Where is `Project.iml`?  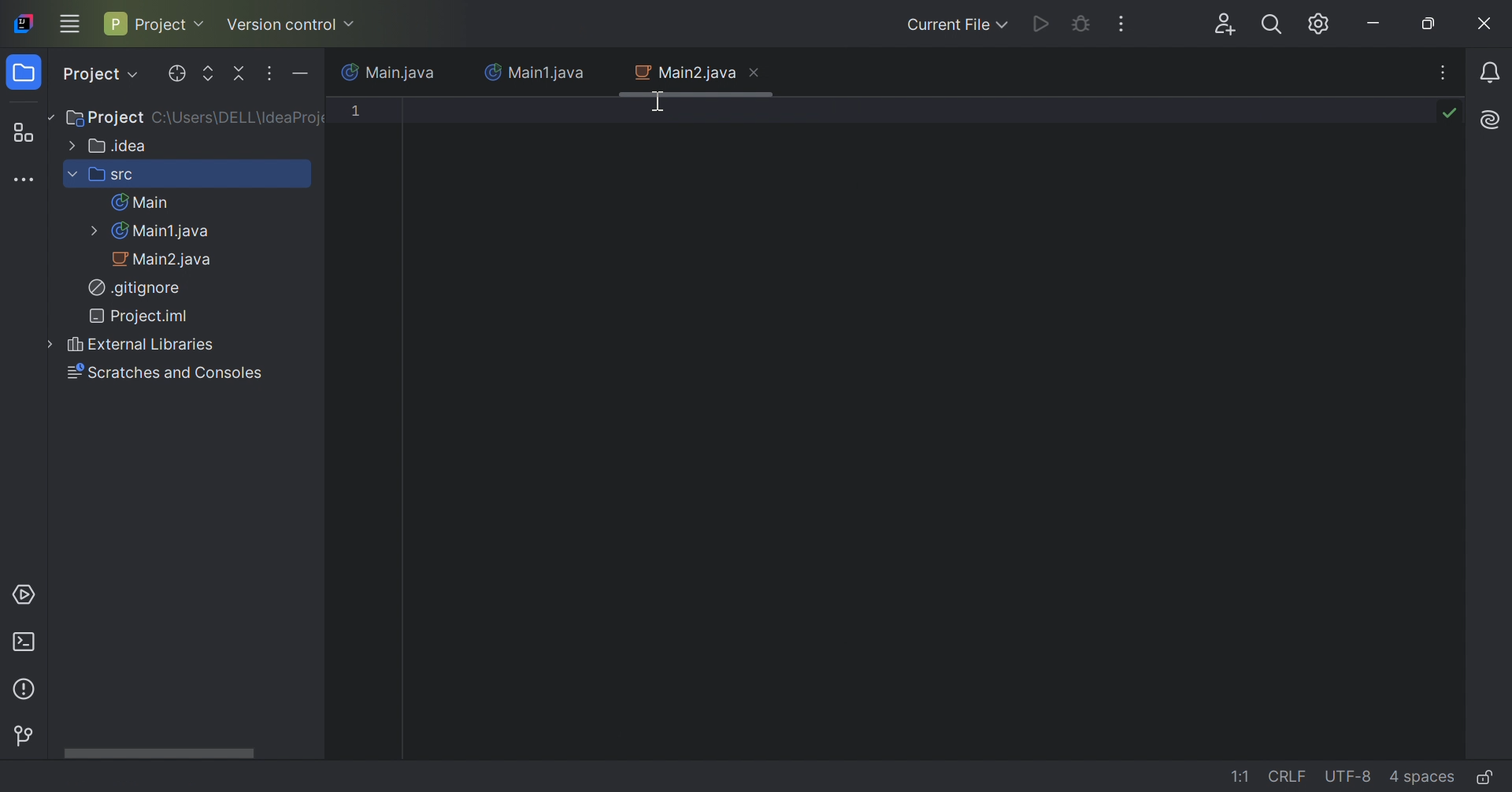 Project.iml is located at coordinates (139, 315).